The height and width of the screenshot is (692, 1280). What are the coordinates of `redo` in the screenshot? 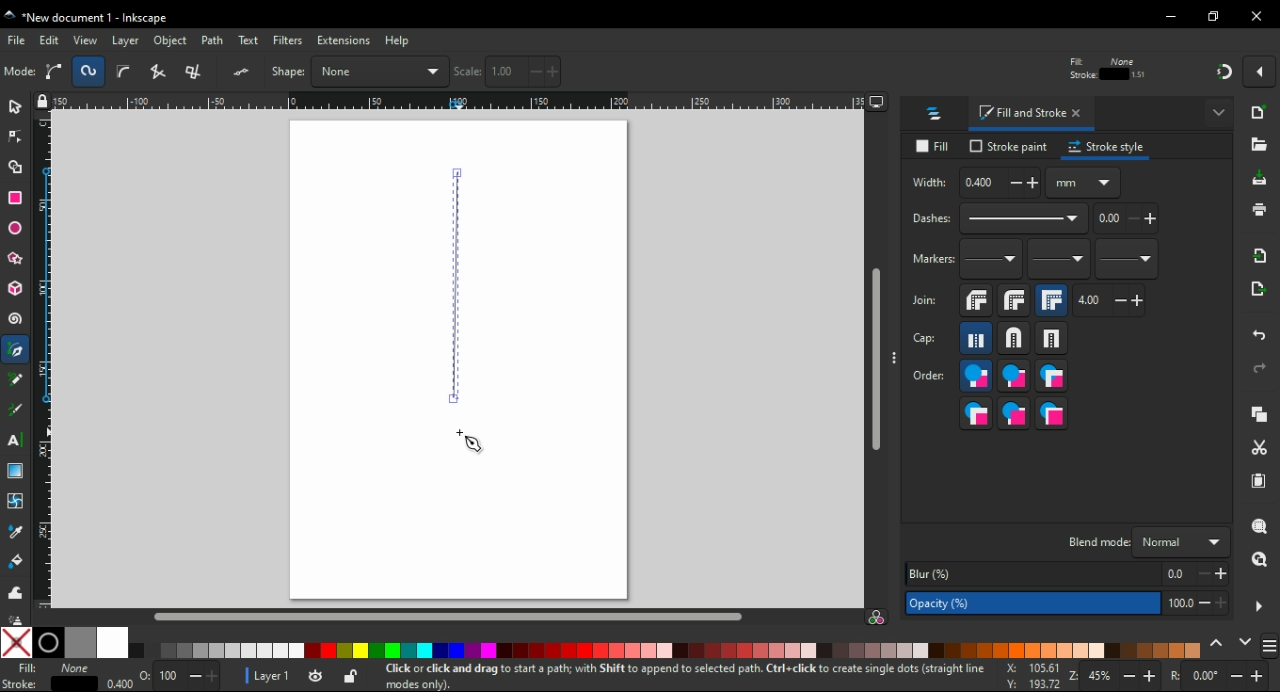 It's located at (1258, 368).